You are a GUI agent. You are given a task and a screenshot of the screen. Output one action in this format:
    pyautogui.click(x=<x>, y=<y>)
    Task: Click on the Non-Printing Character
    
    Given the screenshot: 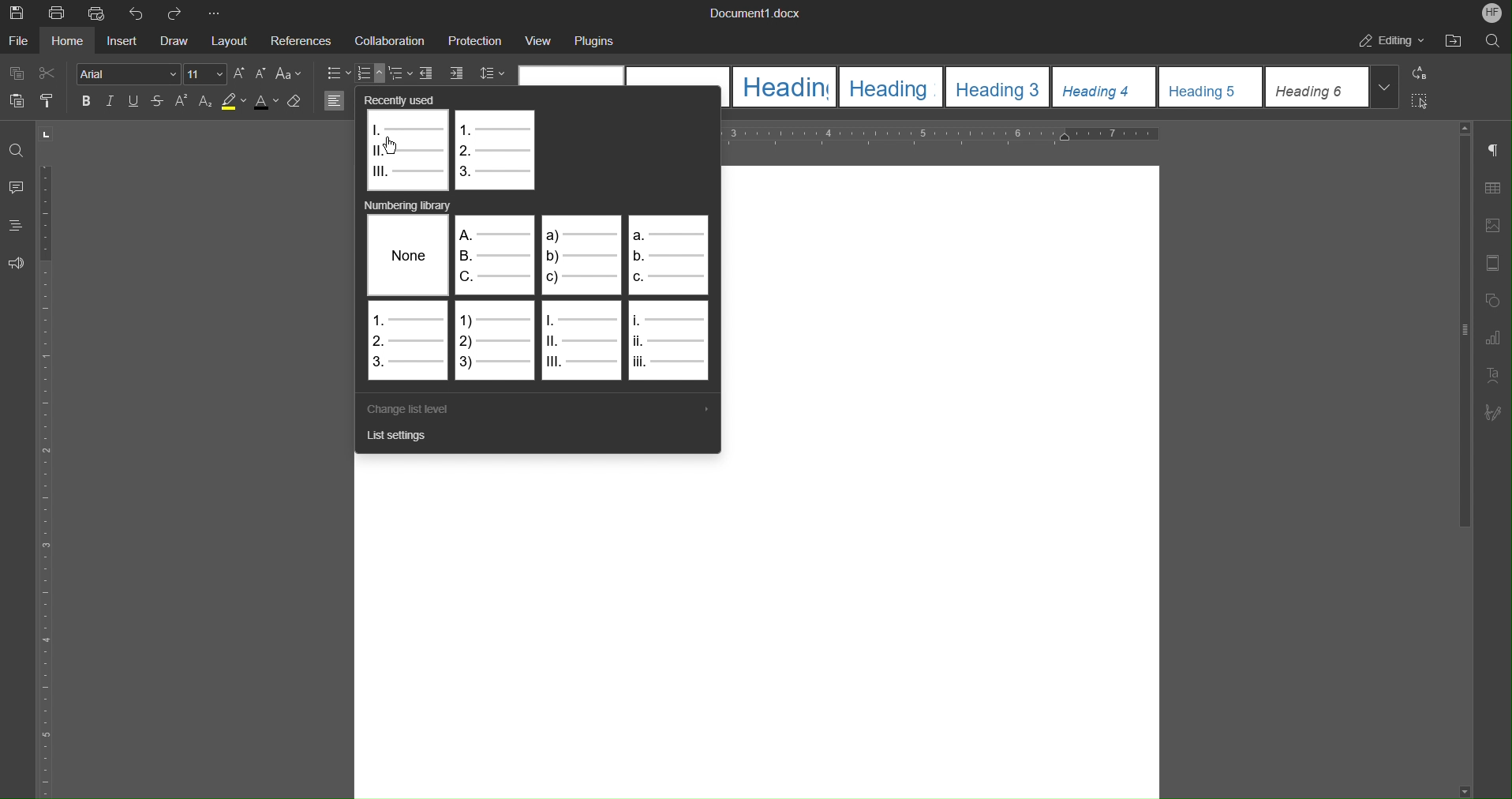 What is the action you would take?
    pyautogui.click(x=1492, y=150)
    